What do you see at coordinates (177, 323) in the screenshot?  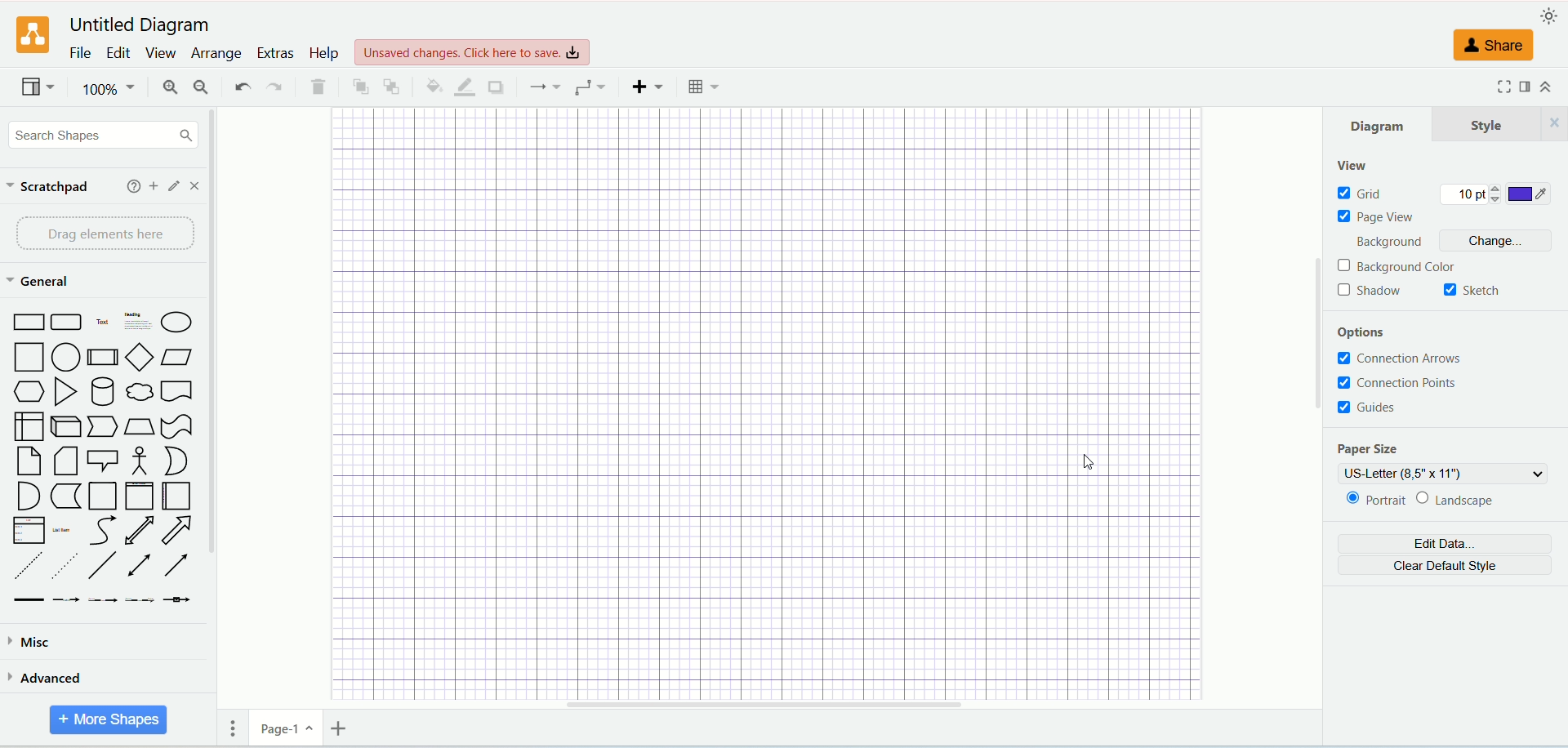 I see `Ellipse` at bounding box center [177, 323].